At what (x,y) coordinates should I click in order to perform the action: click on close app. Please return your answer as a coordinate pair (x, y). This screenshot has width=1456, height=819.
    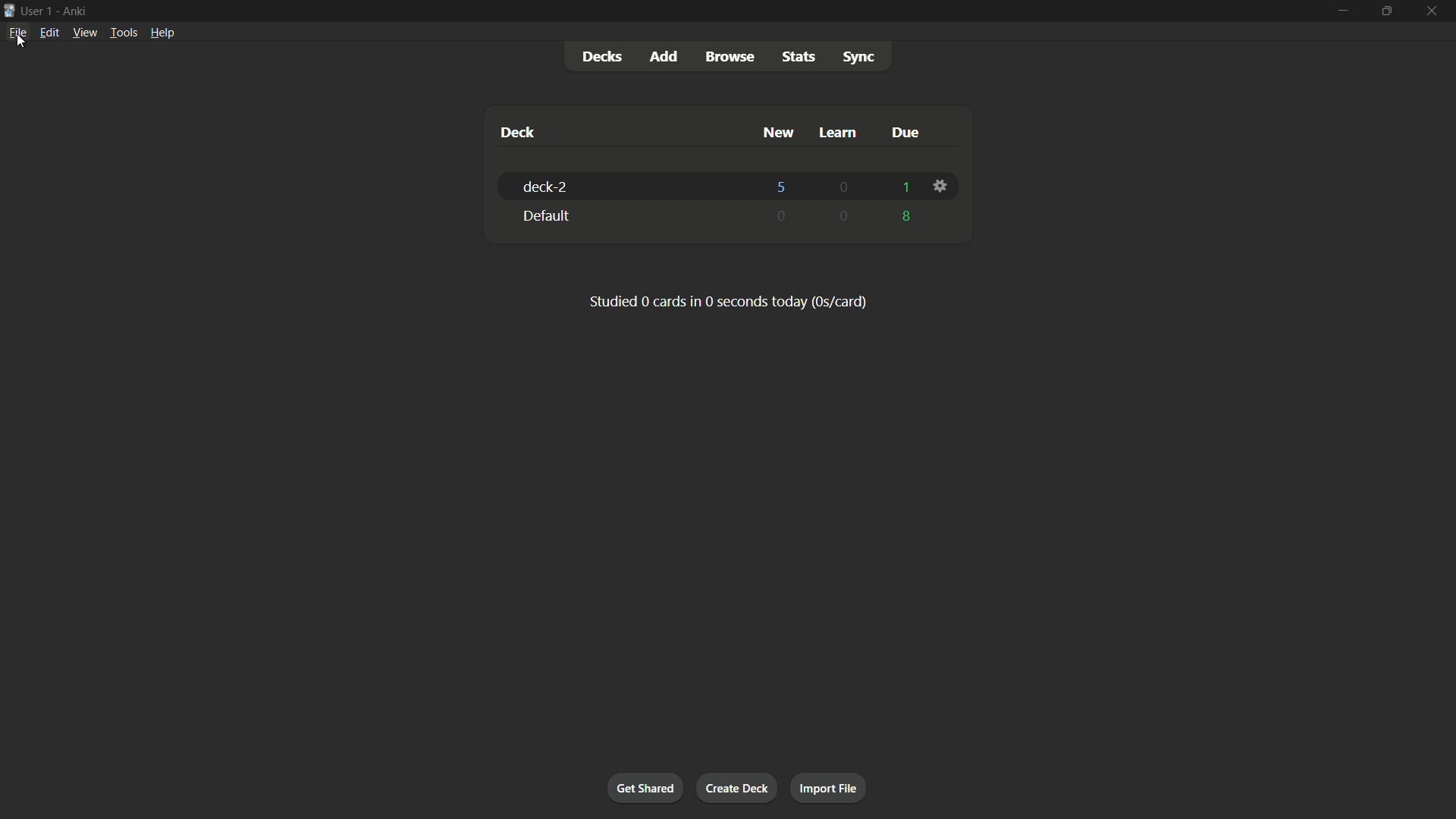
    Looking at the image, I should click on (1433, 11).